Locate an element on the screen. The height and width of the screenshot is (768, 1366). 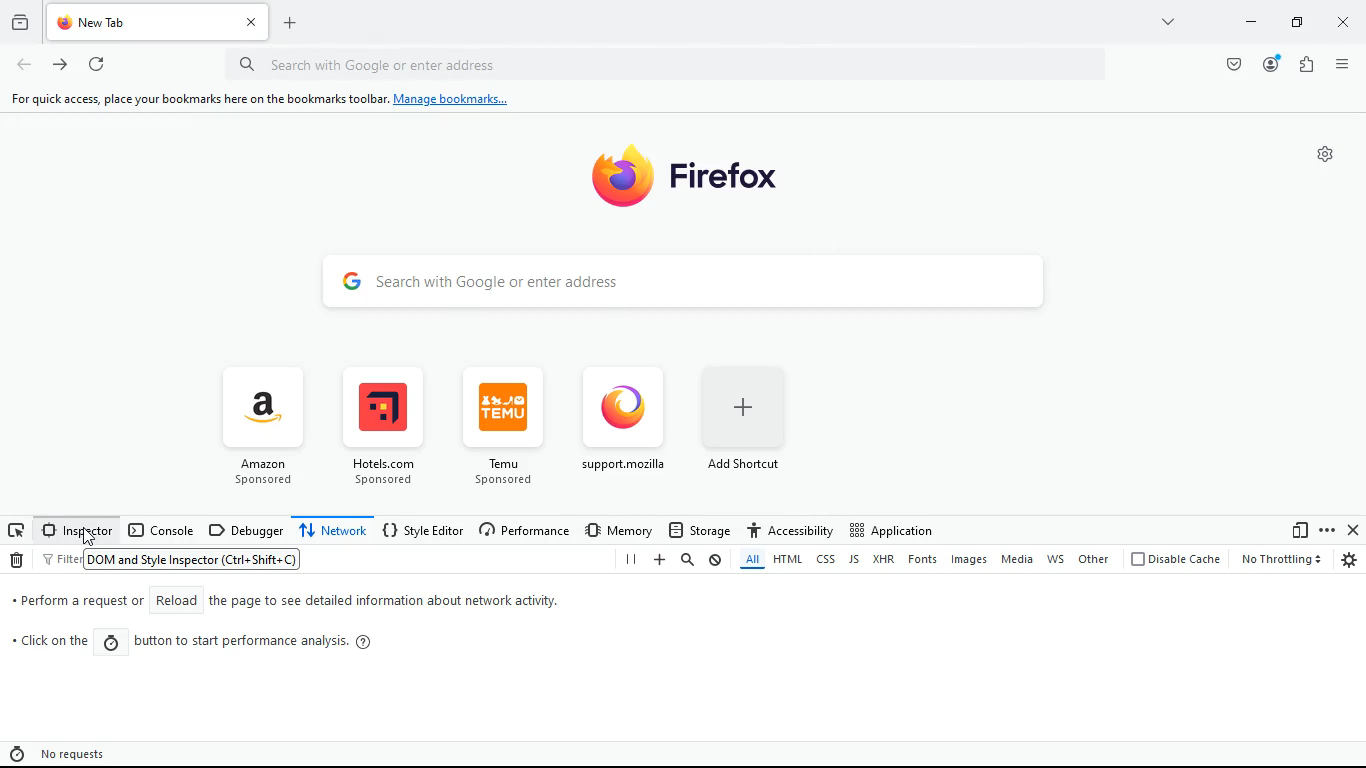
new tab is located at coordinates (139, 22).